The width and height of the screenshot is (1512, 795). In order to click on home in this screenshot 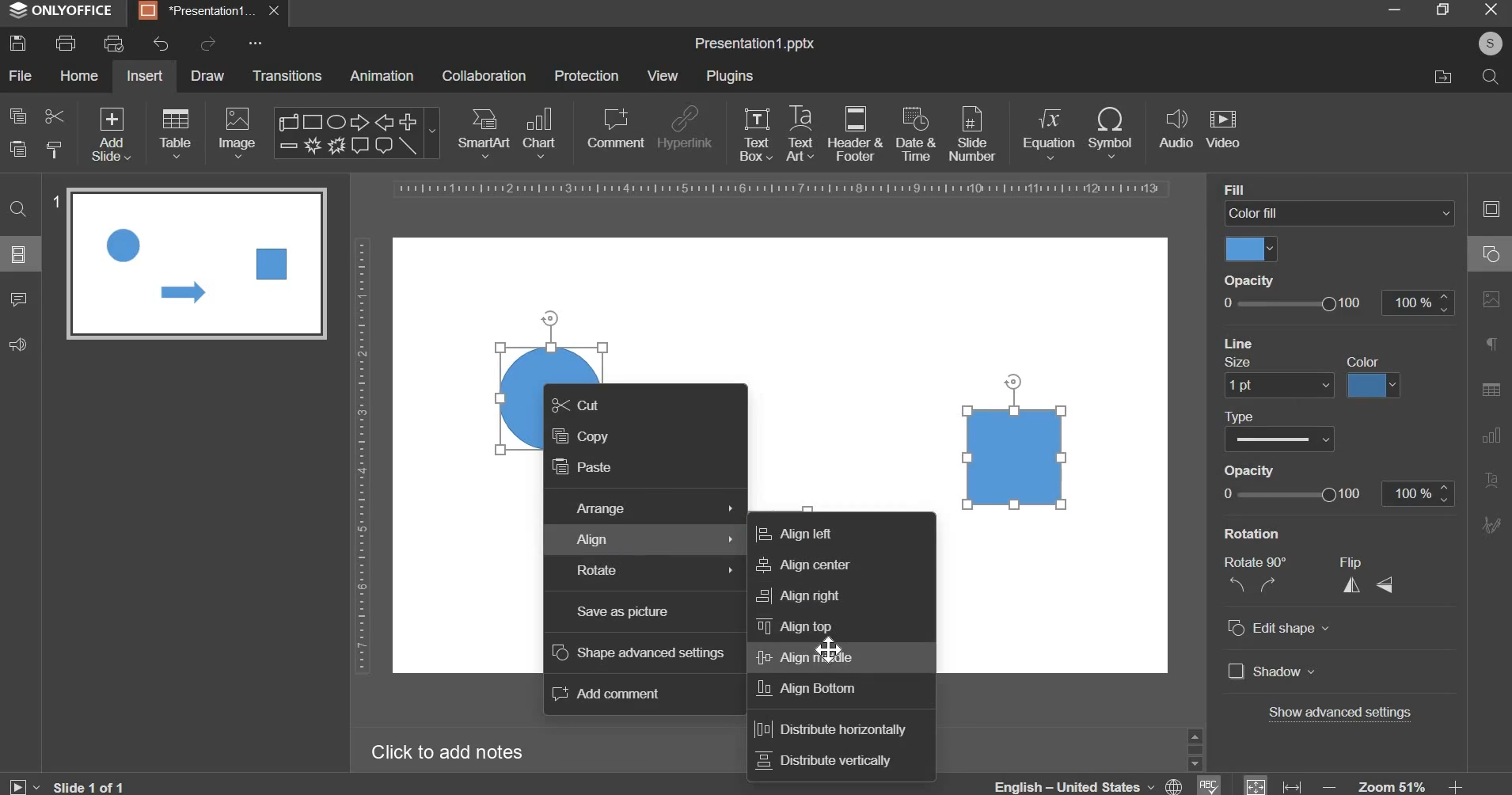, I will do `click(78, 74)`.